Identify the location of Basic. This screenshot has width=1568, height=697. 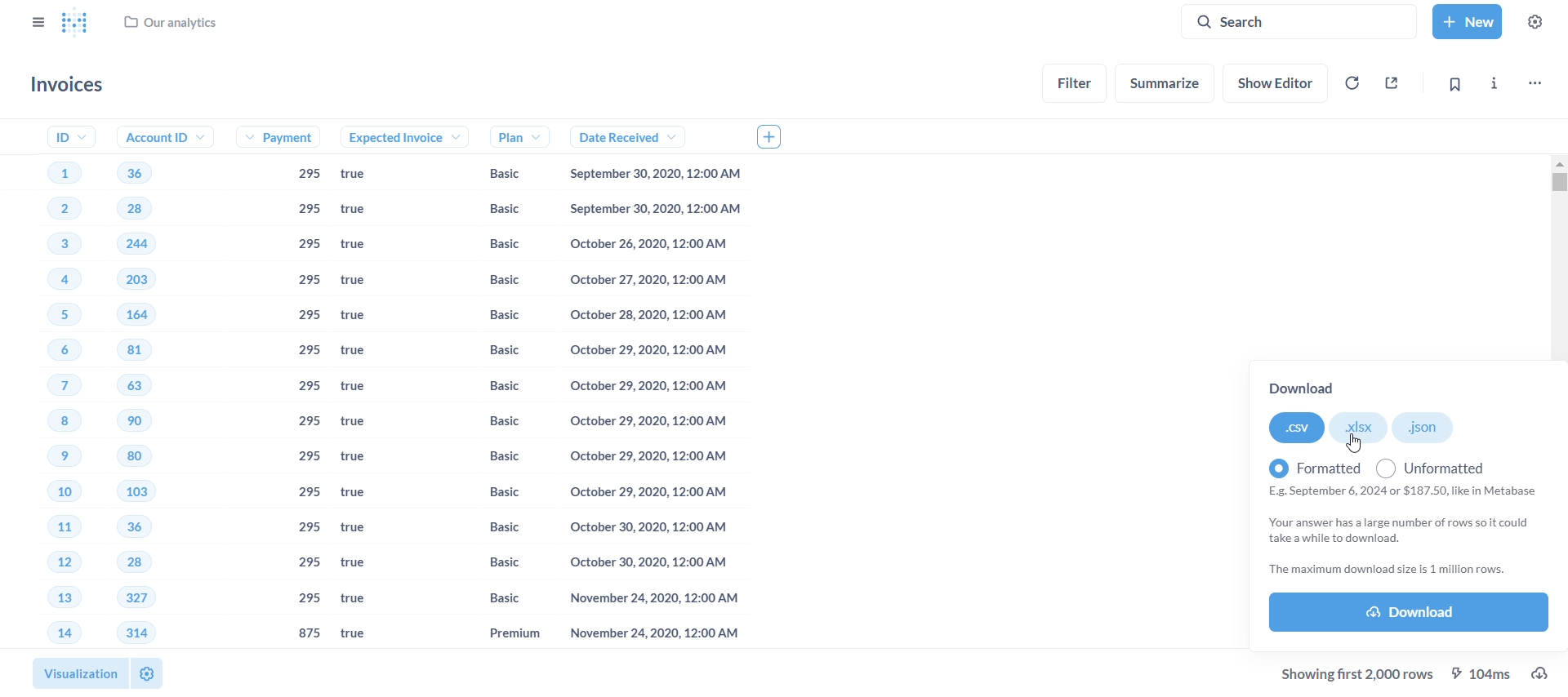
(492, 352).